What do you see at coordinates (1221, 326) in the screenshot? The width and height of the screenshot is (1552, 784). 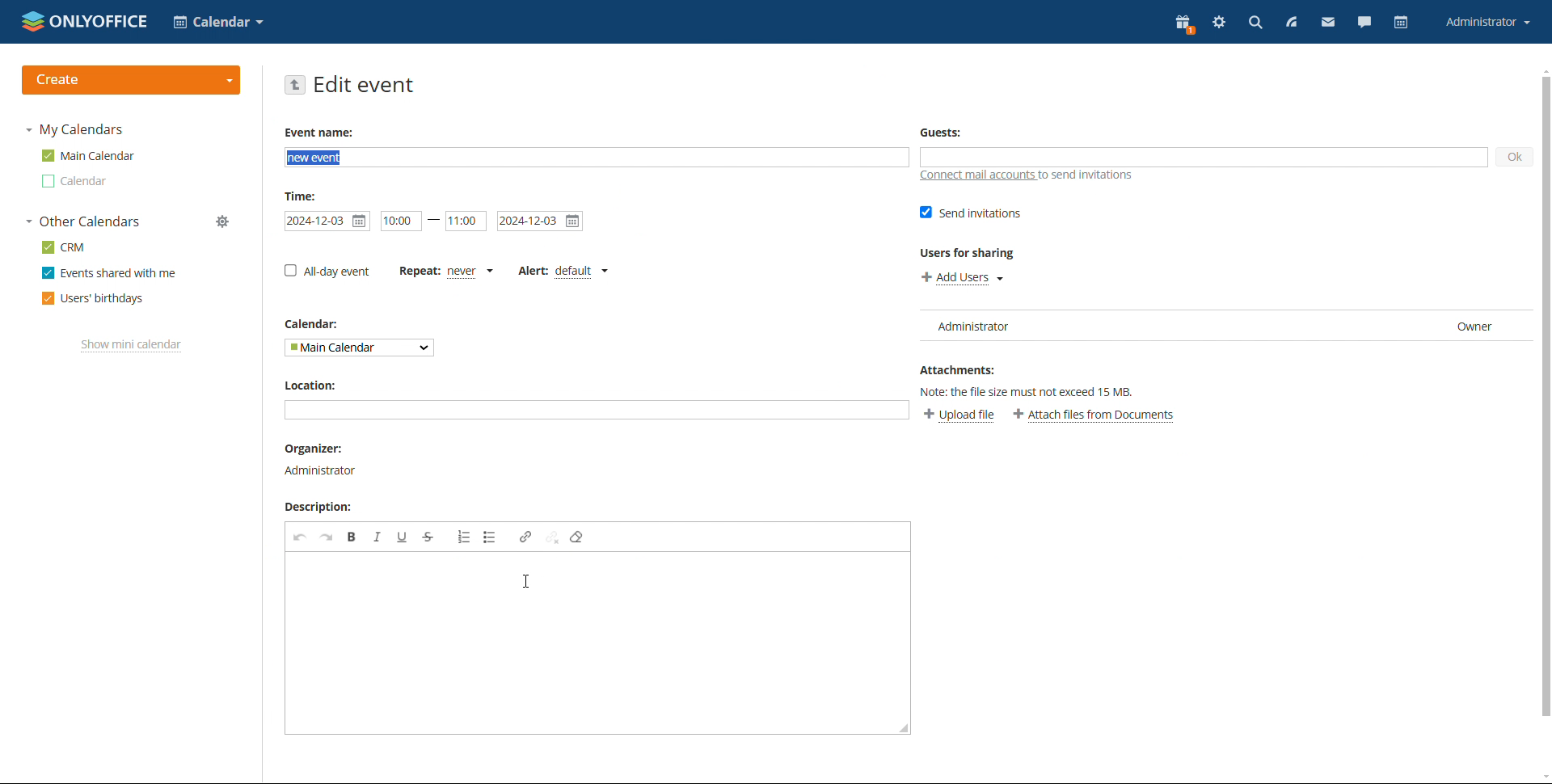 I see `user list` at bounding box center [1221, 326].